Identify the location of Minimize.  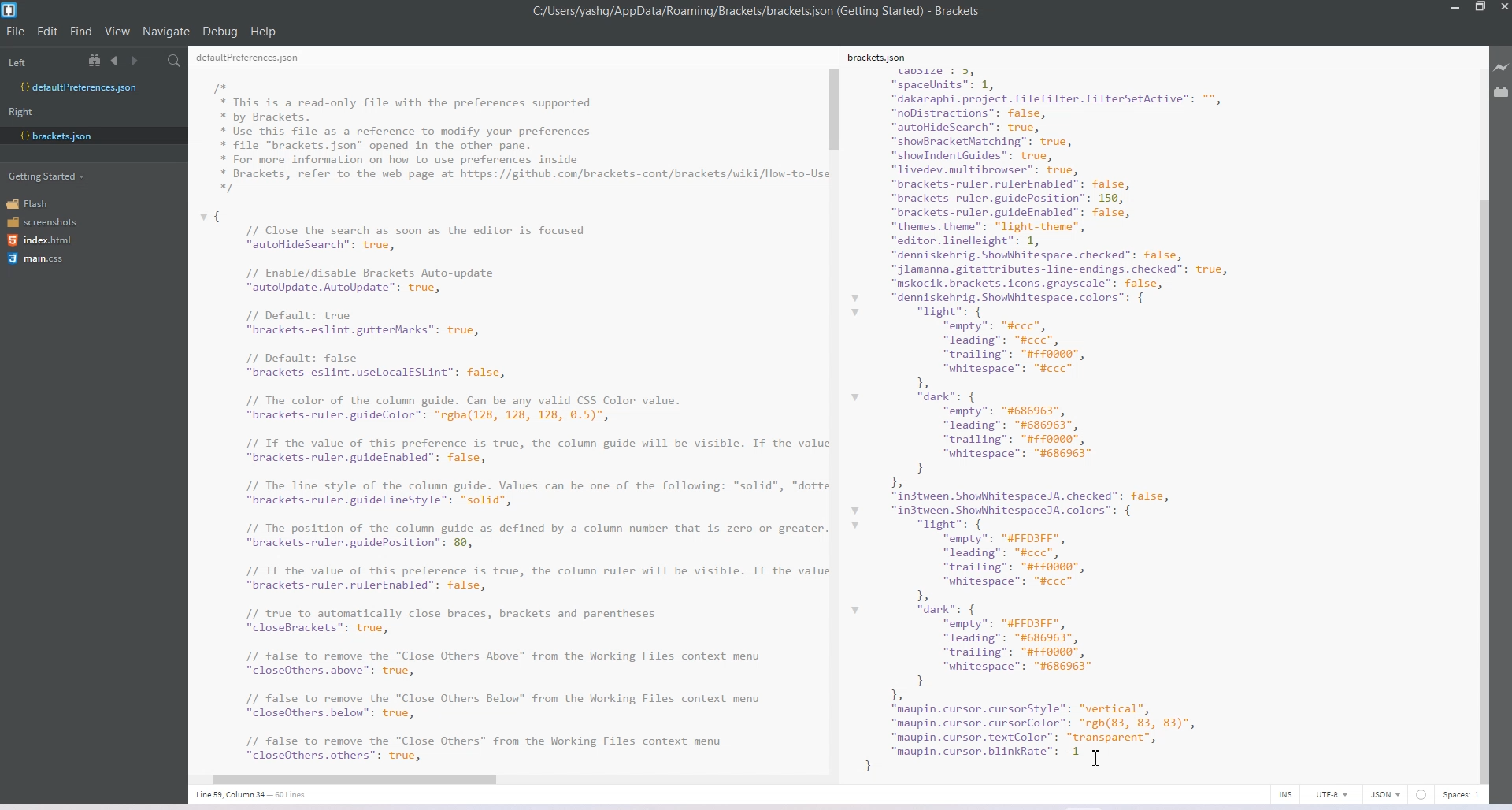
(1457, 8).